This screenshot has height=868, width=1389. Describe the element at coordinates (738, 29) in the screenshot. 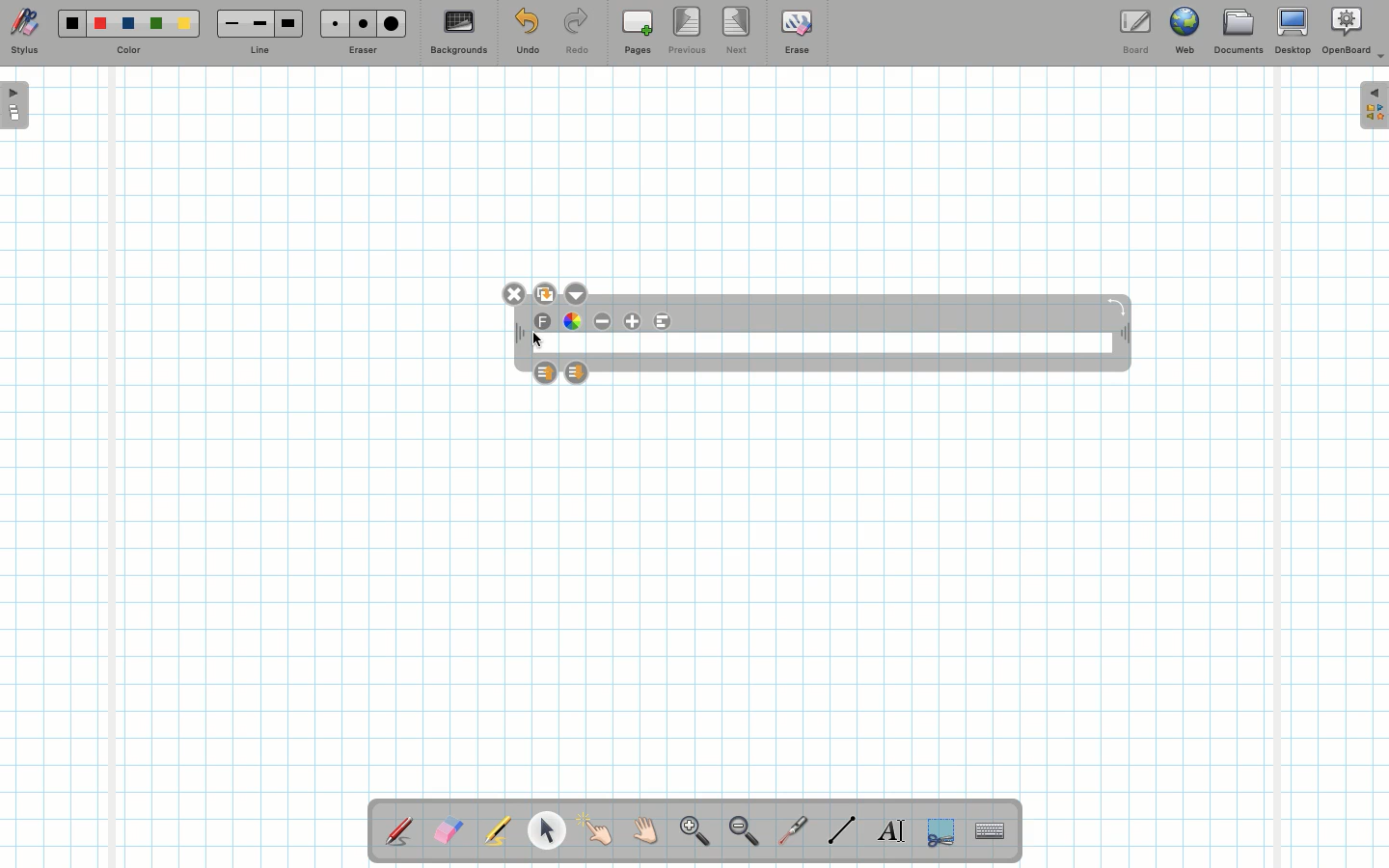

I see `Next` at that location.